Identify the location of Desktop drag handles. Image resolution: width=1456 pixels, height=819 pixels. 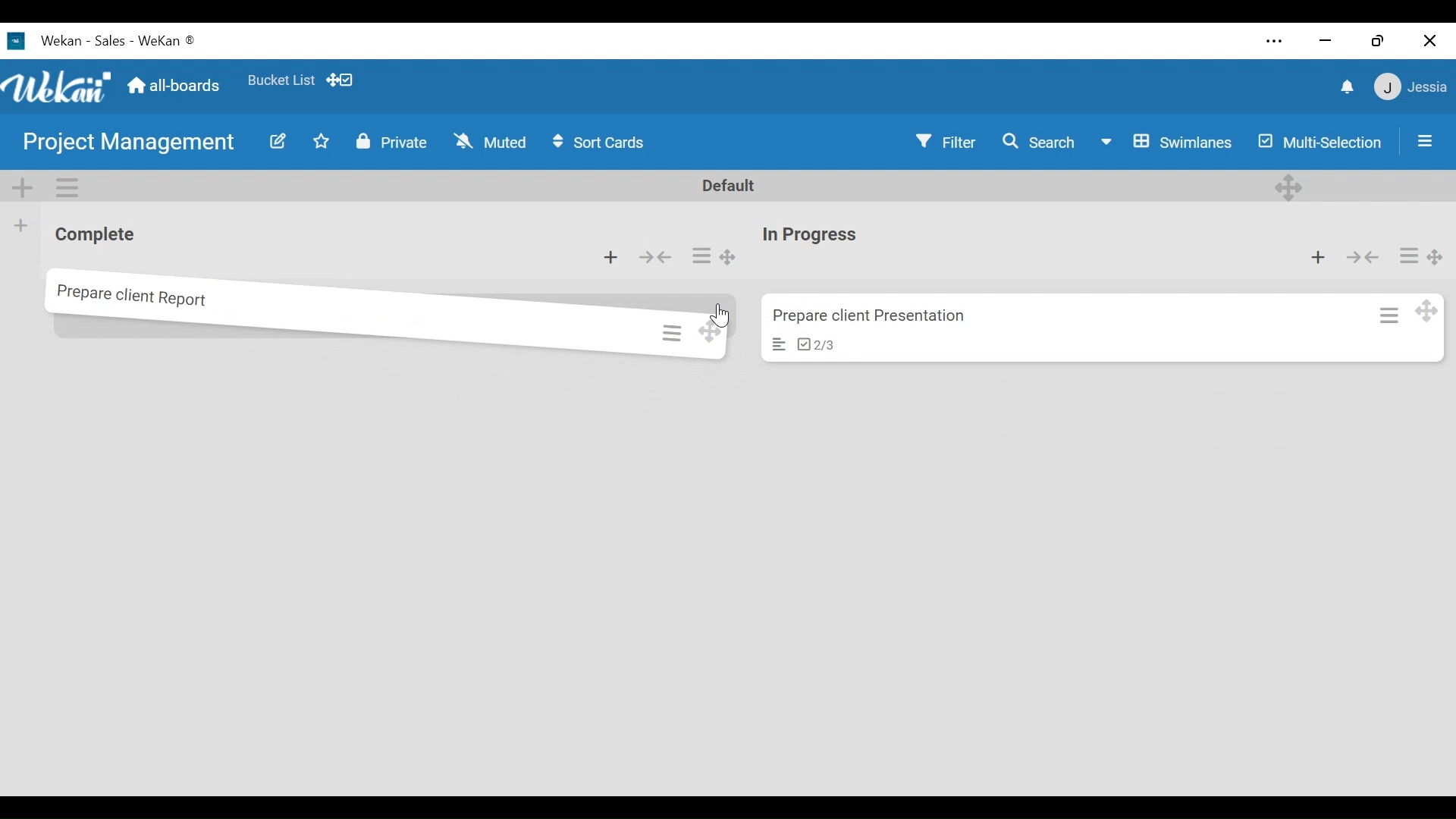
(1436, 256).